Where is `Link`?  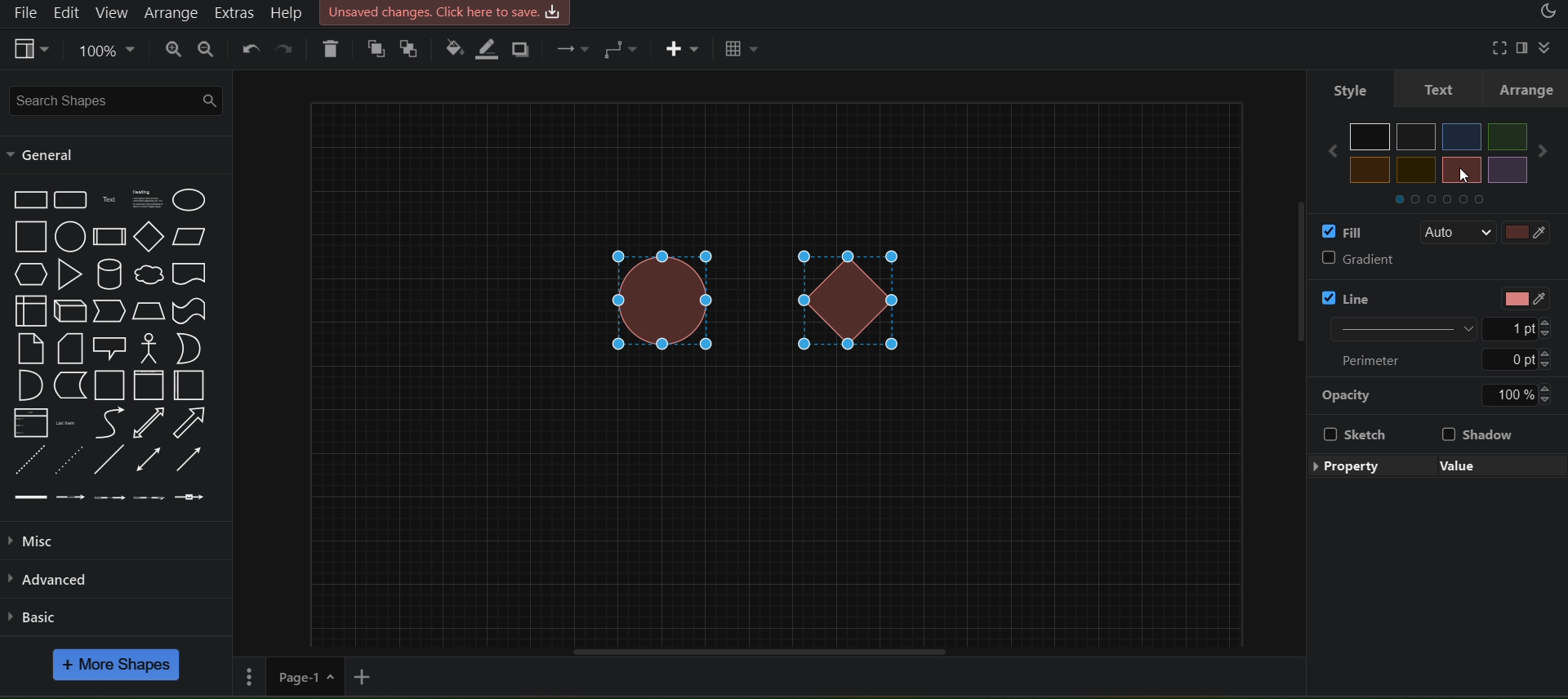 Link is located at coordinates (31, 497).